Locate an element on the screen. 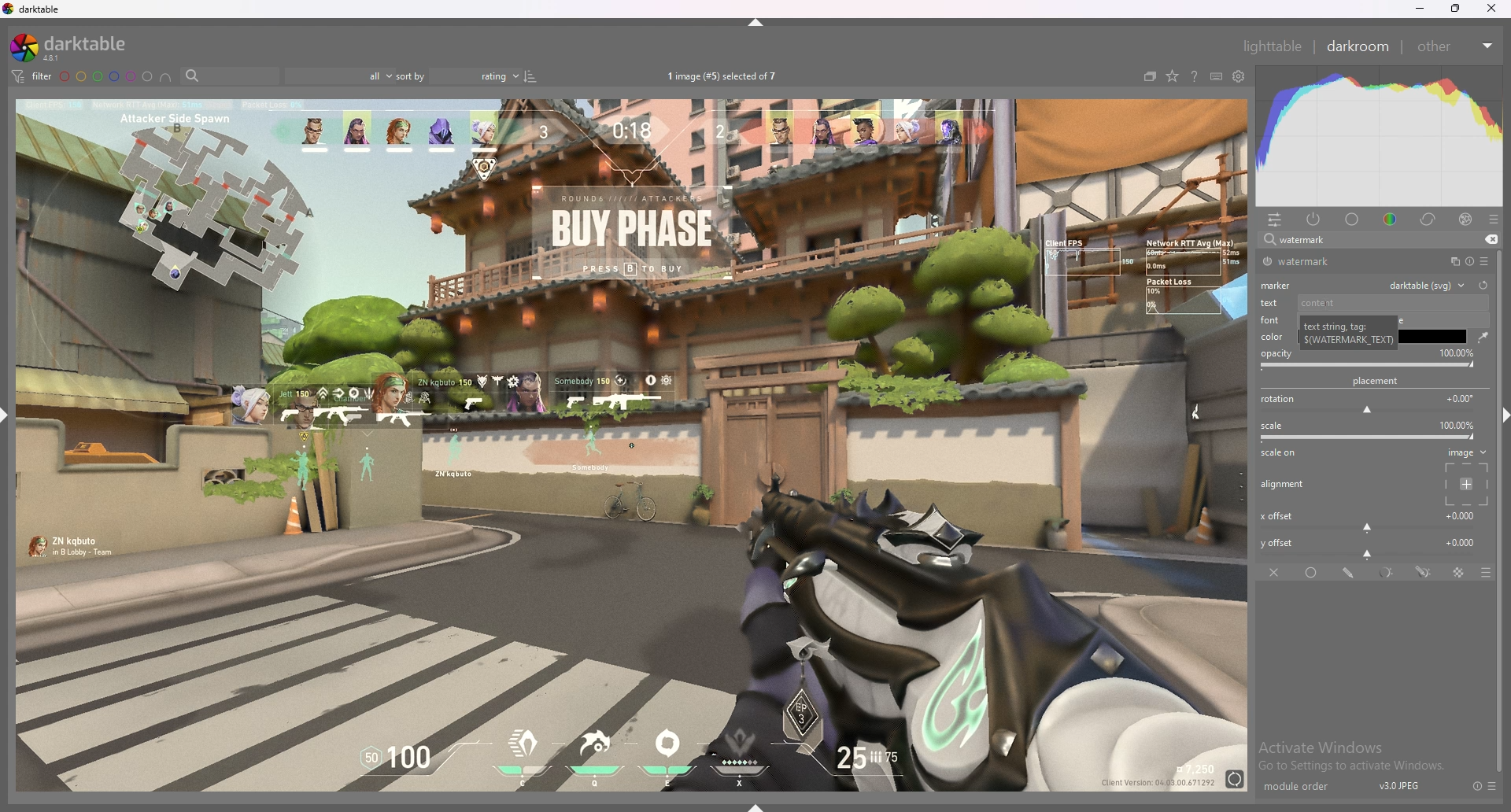 The height and width of the screenshot is (812, 1511). image is located at coordinates (1464, 476).